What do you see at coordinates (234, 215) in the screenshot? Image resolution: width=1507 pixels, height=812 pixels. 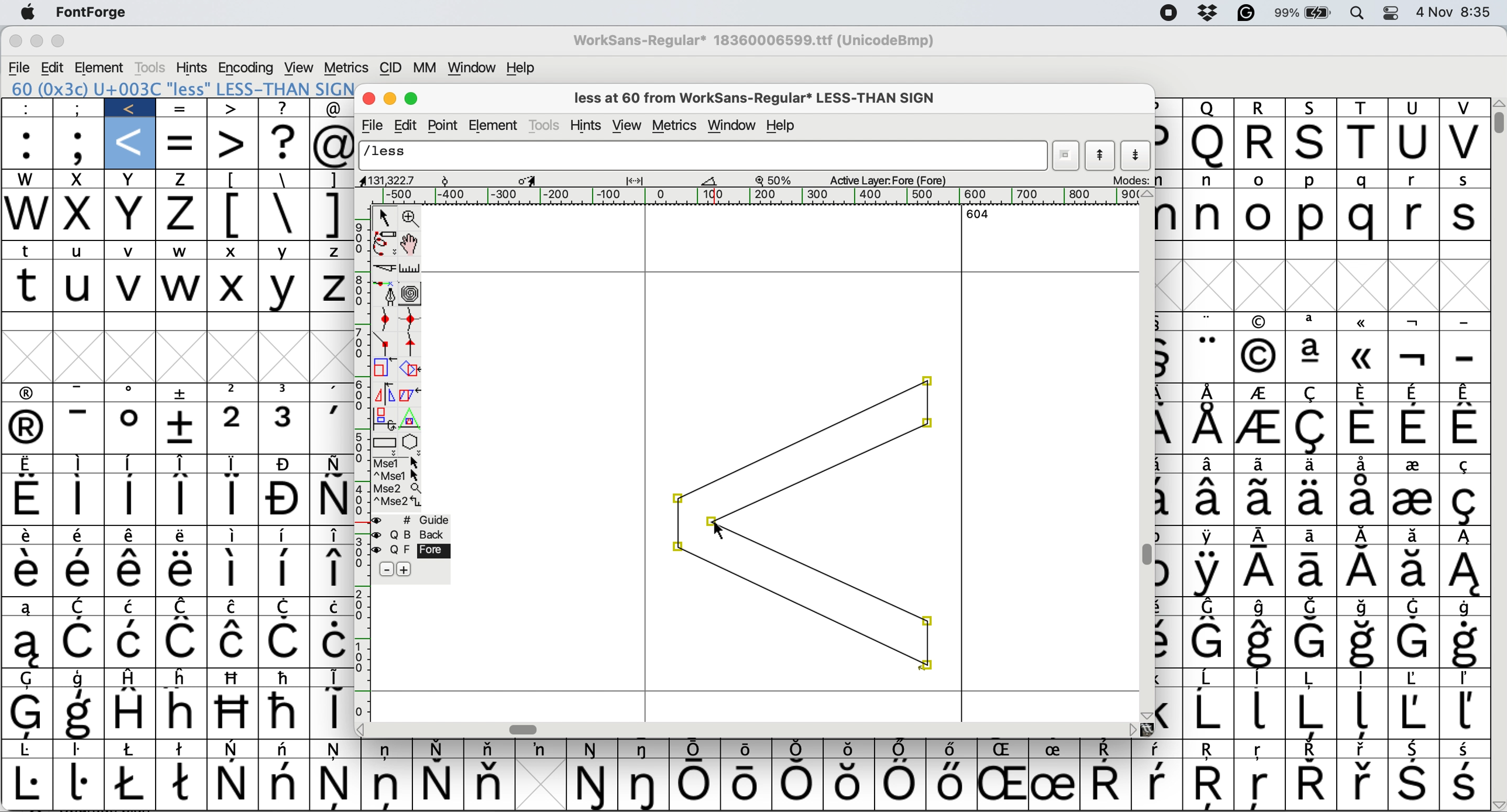 I see `[` at bounding box center [234, 215].